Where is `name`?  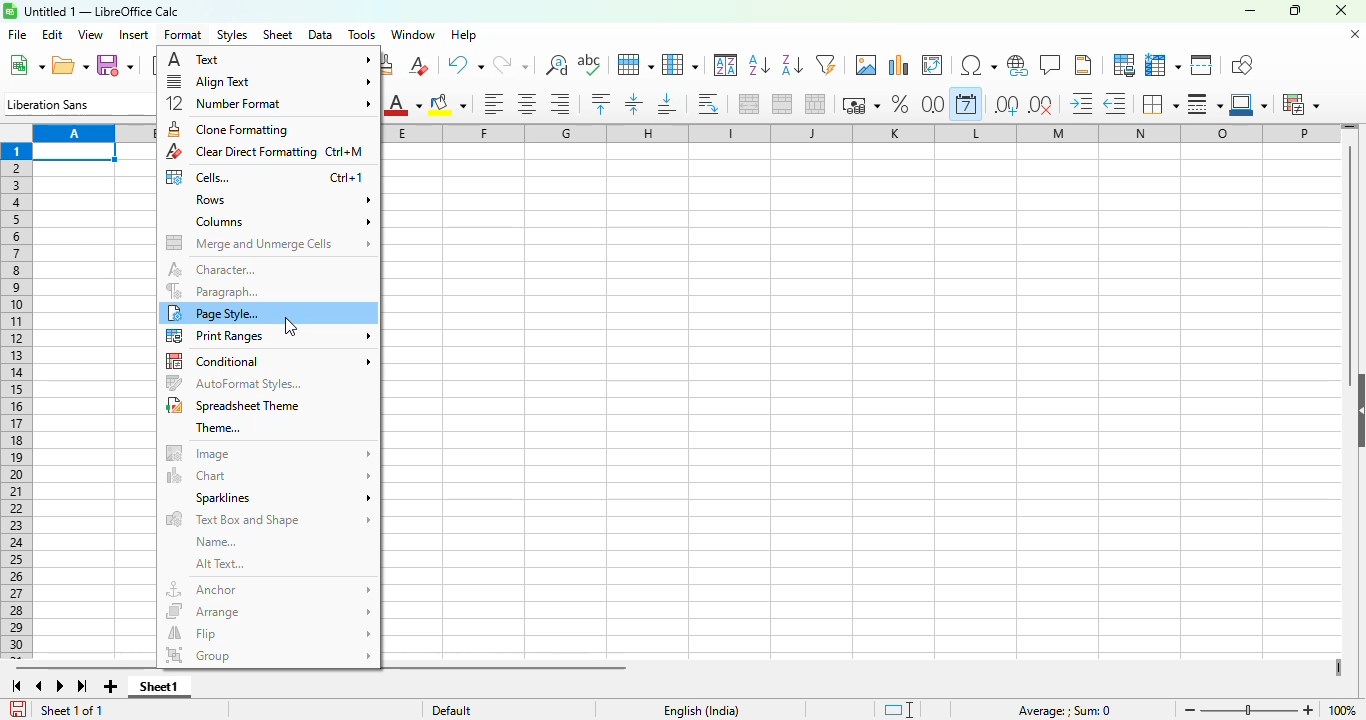 name is located at coordinates (215, 542).